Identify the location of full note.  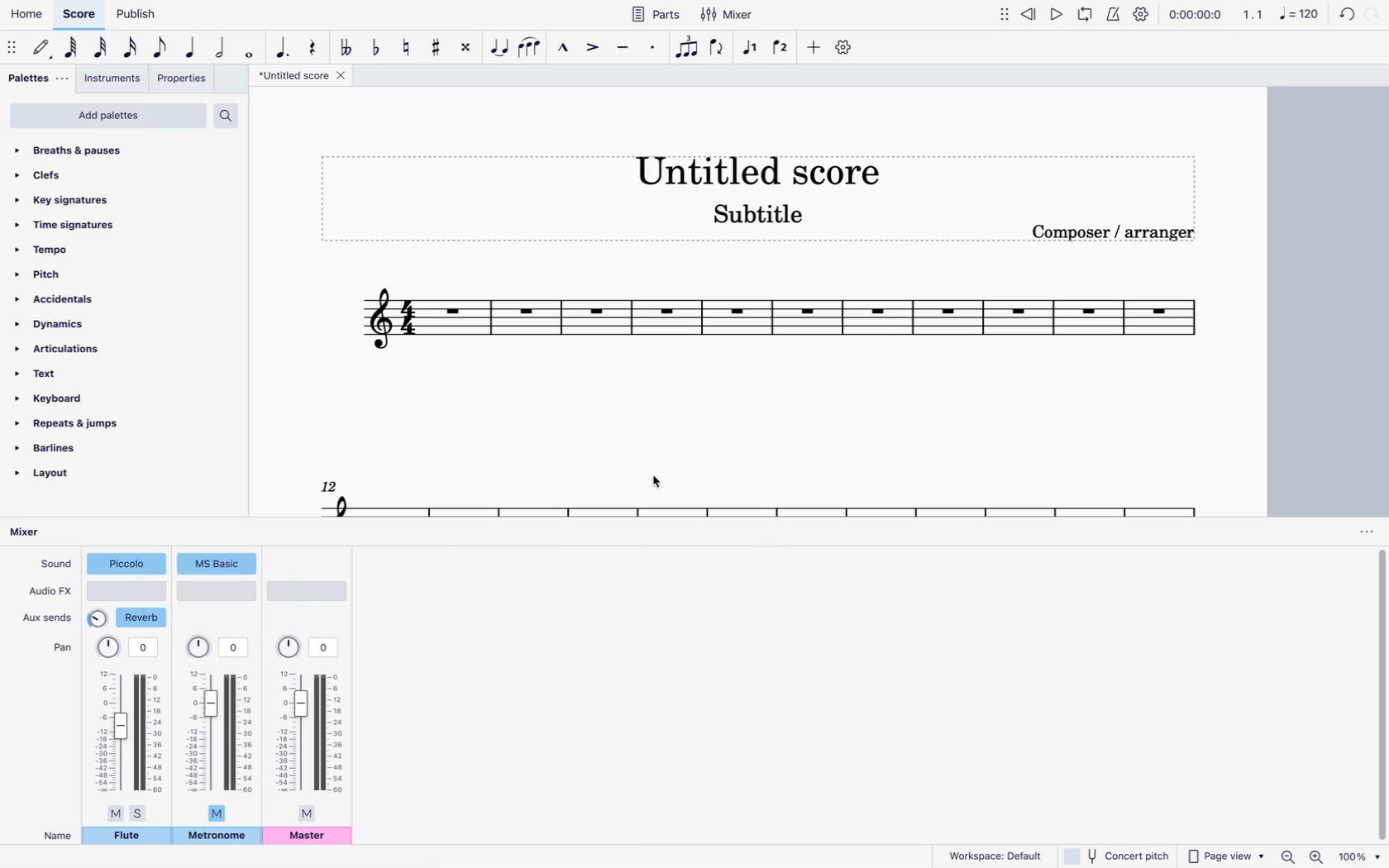
(250, 48).